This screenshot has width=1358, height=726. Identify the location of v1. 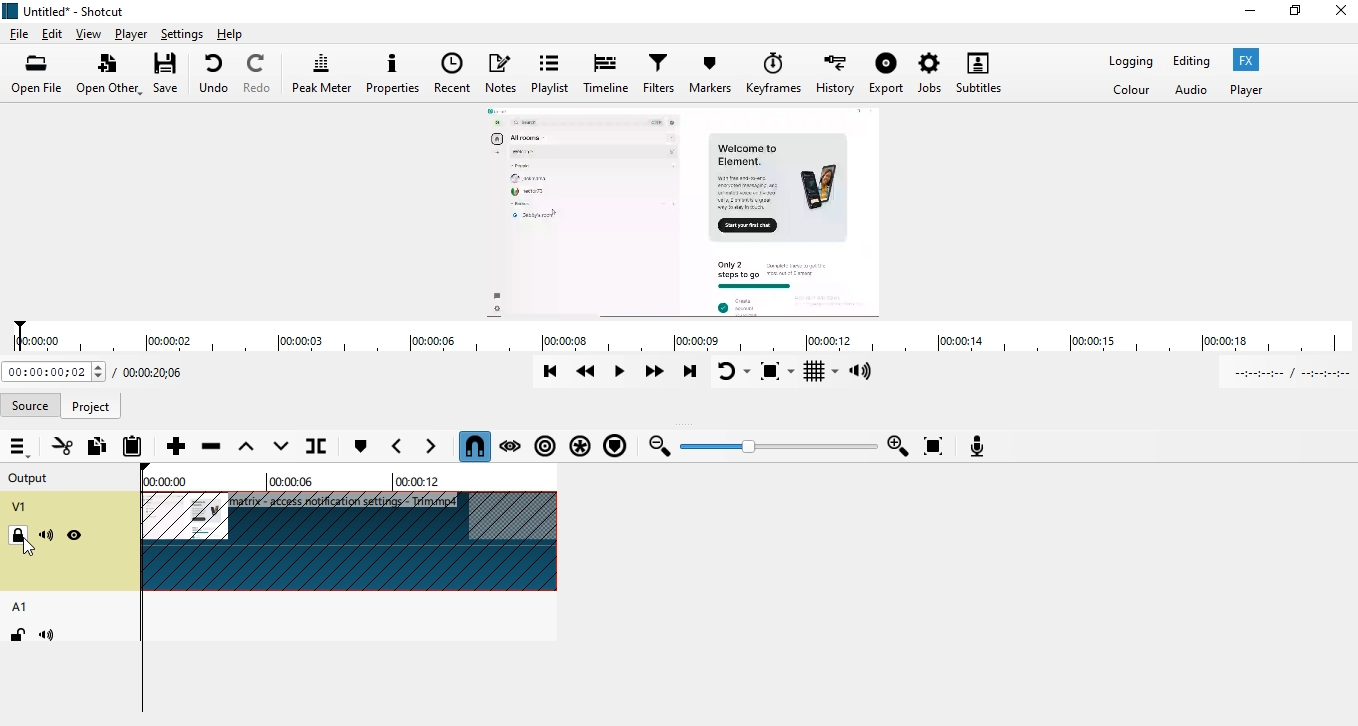
(20, 507).